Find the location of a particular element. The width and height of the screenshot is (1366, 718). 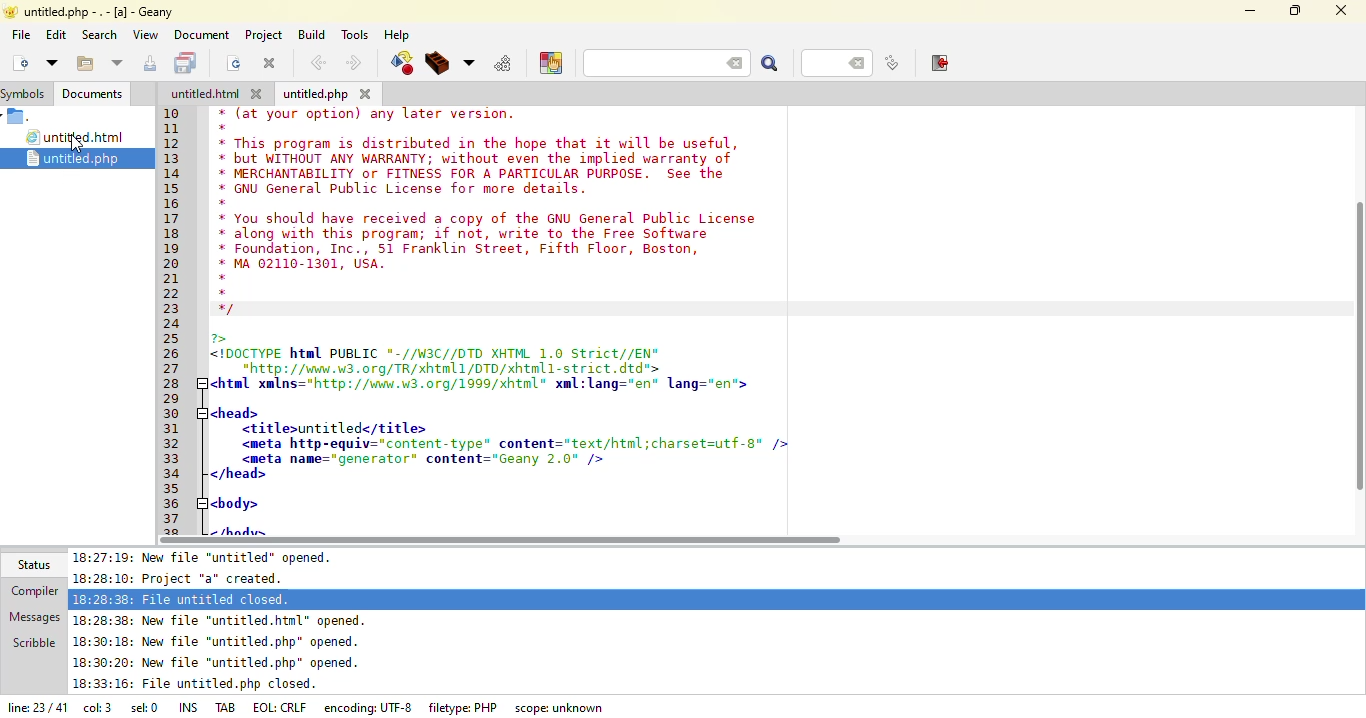

php is located at coordinates (460, 708).